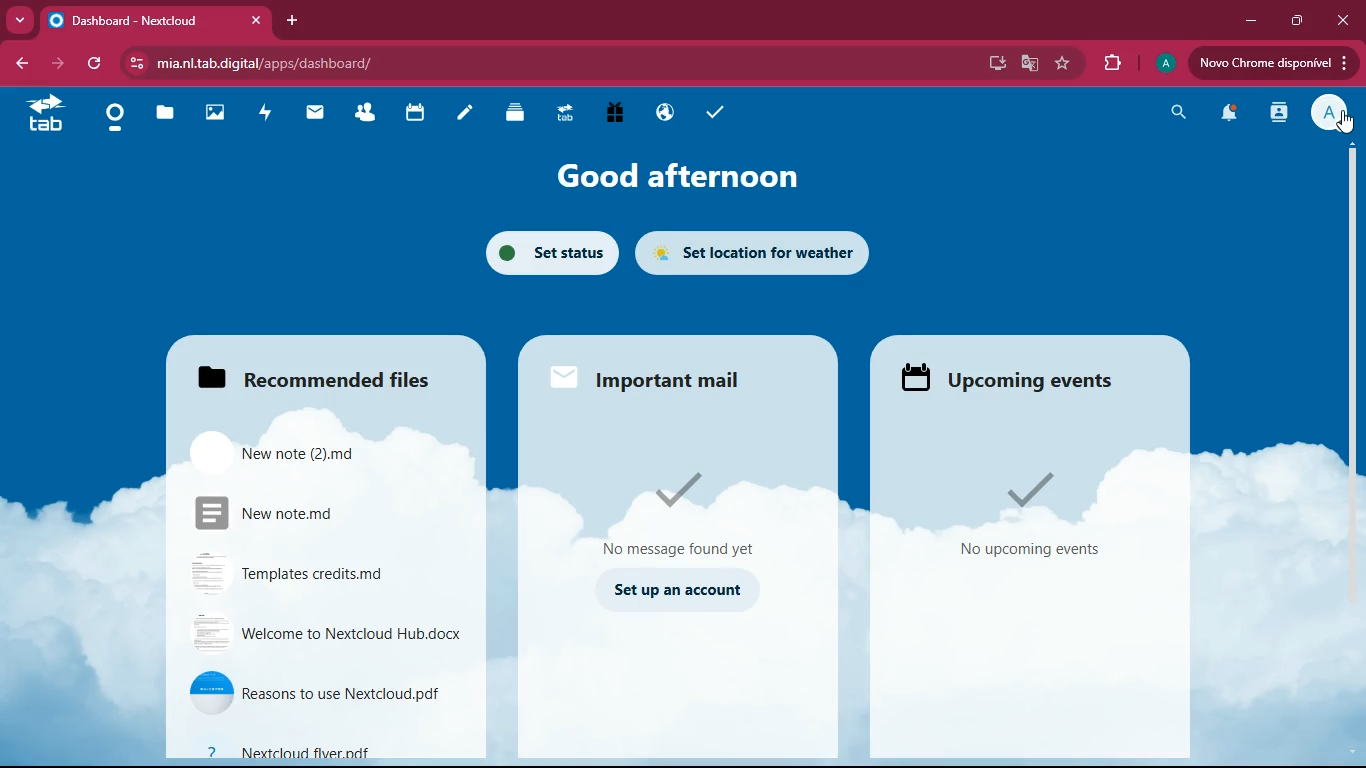 Image resolution: width=1366 pixels, height=768 pixels. What do you see at coordinates (992, 64) in the screenshot?
I see `desktop` at bounding box center [992, 64].